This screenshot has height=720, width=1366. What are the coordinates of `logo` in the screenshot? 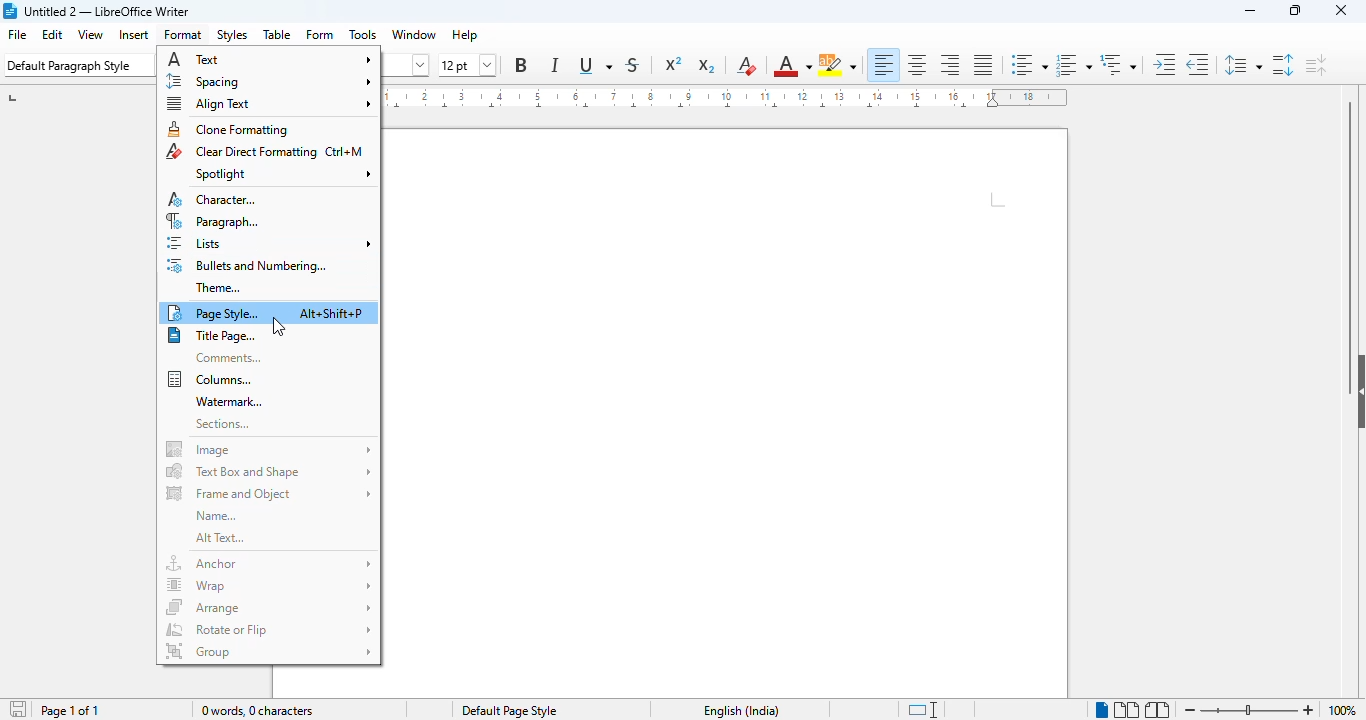 It's located at (10, 11).